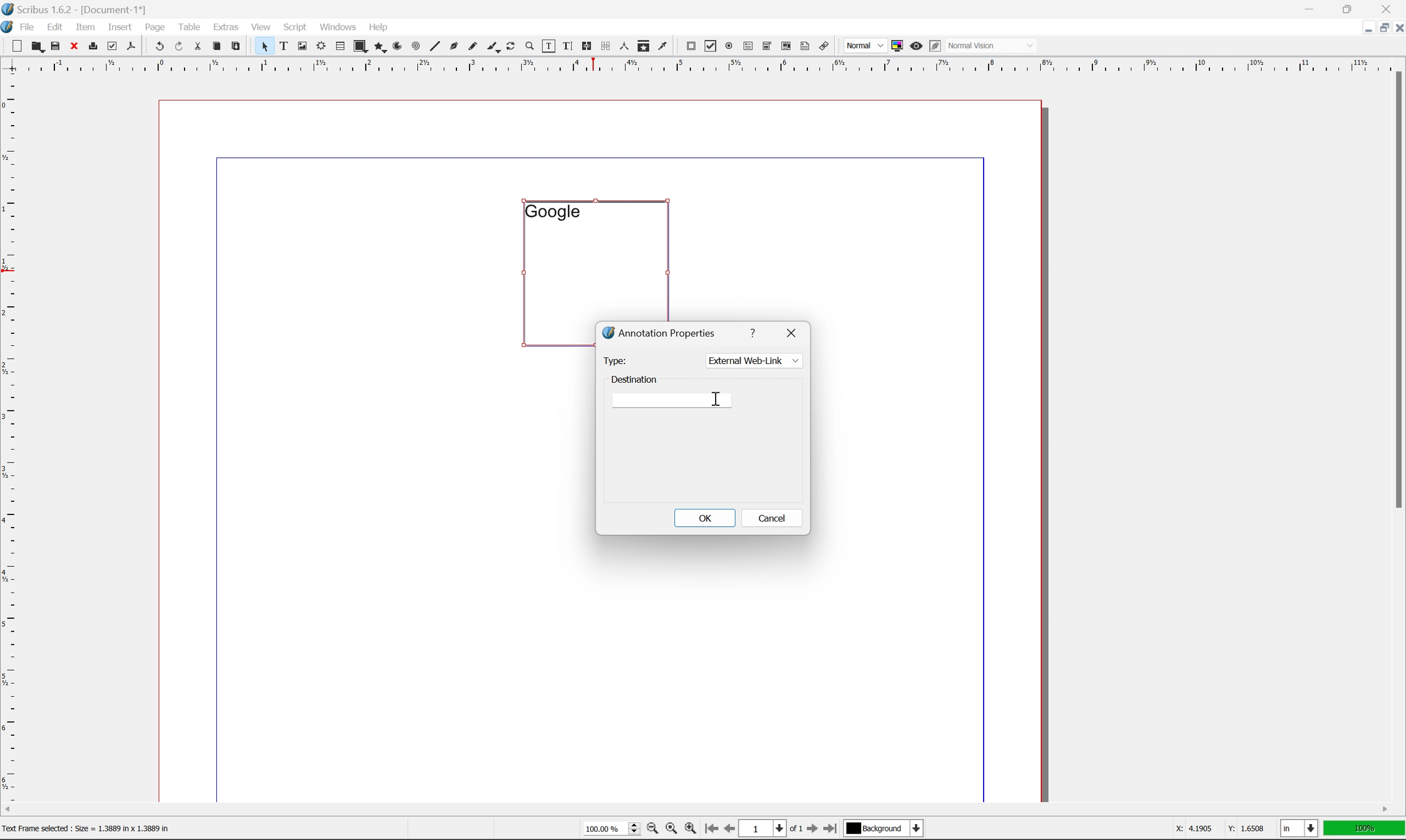 This screenshot has height=840, width=1406. I want to click on cancel, so click(772, 520).